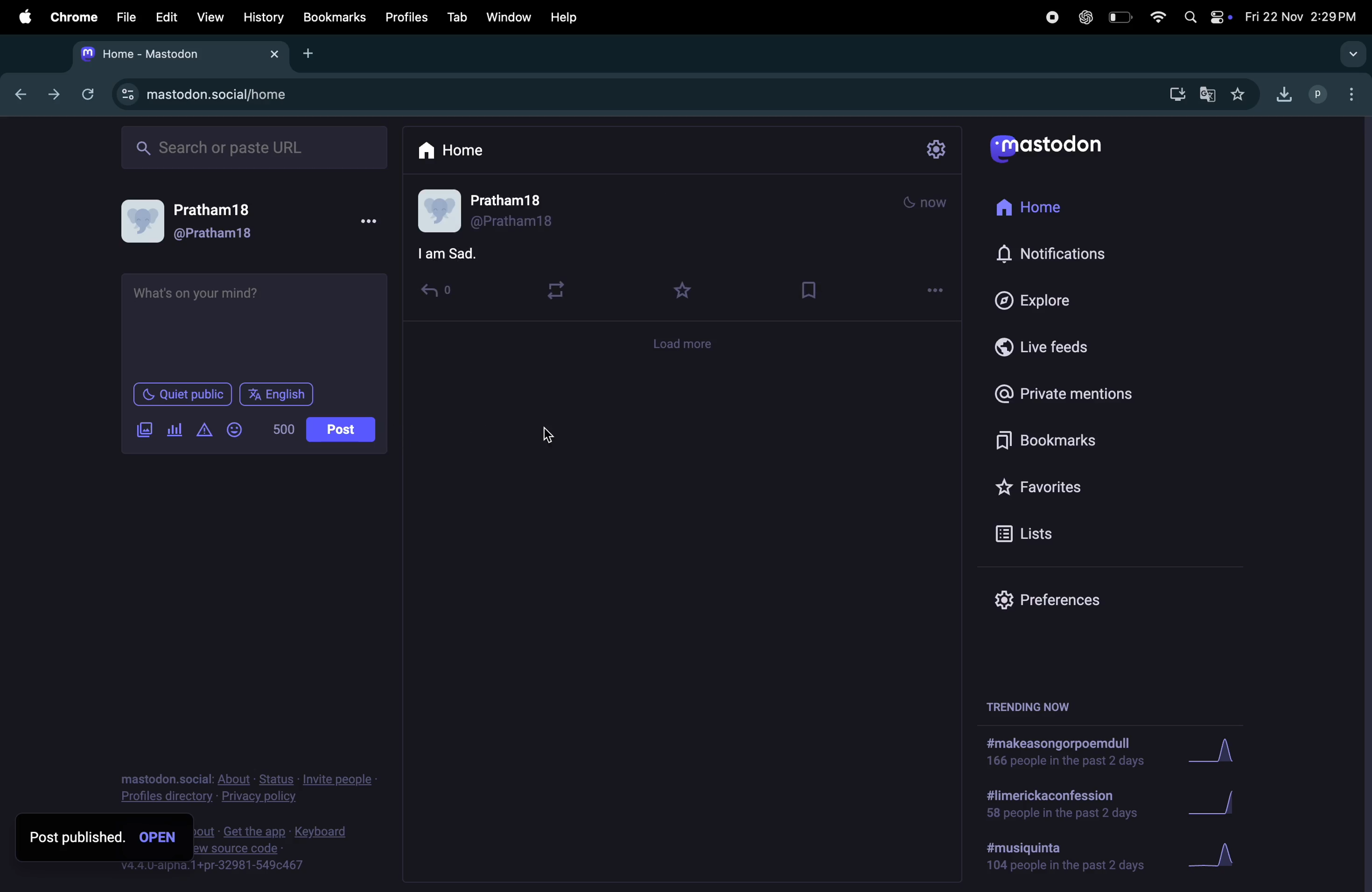 This screenshot has width=1372, height=892. I want to click on bookmarks, so click(335, 17).